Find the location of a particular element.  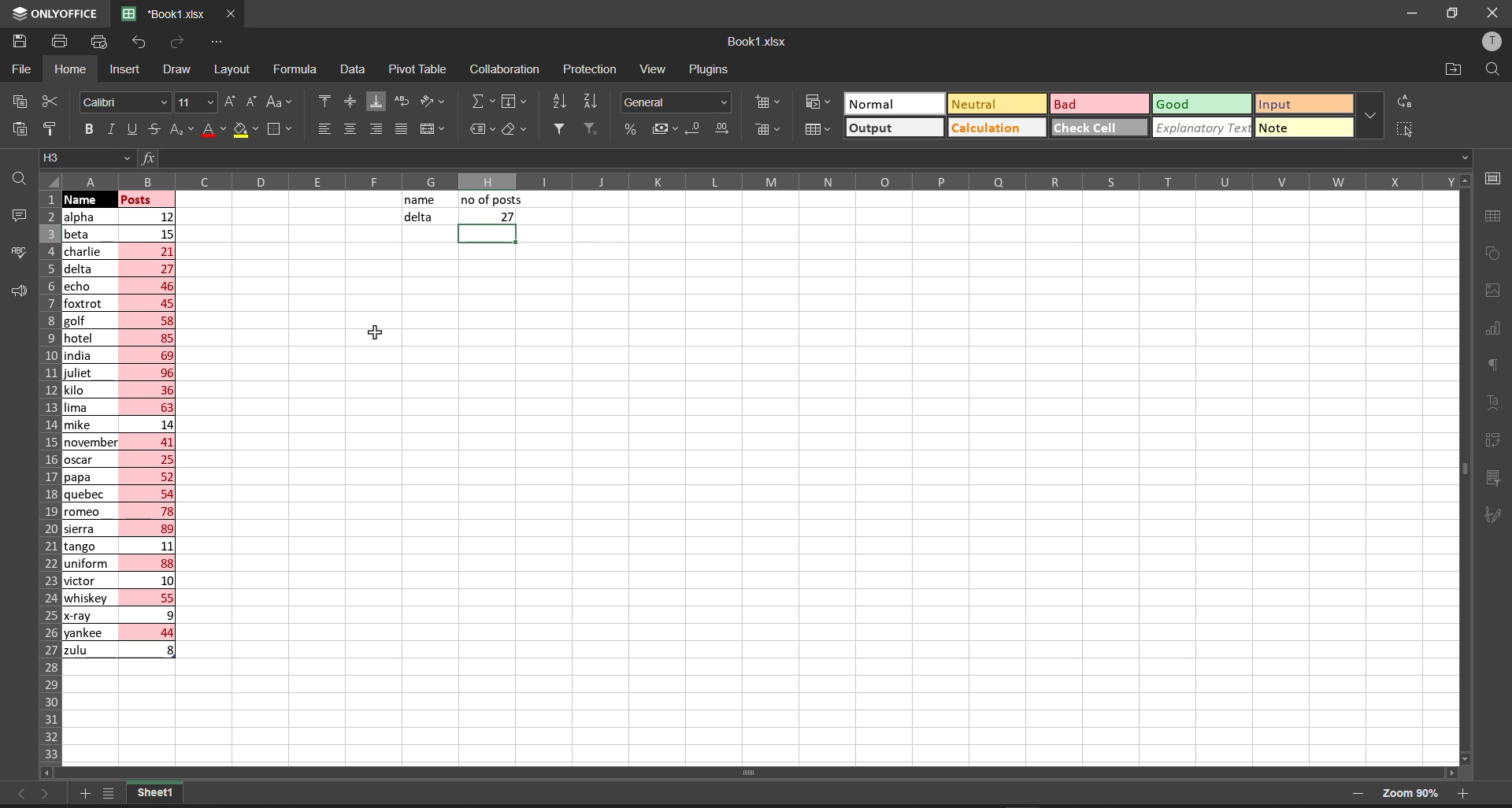

italic is located at coordinates (109, 129).